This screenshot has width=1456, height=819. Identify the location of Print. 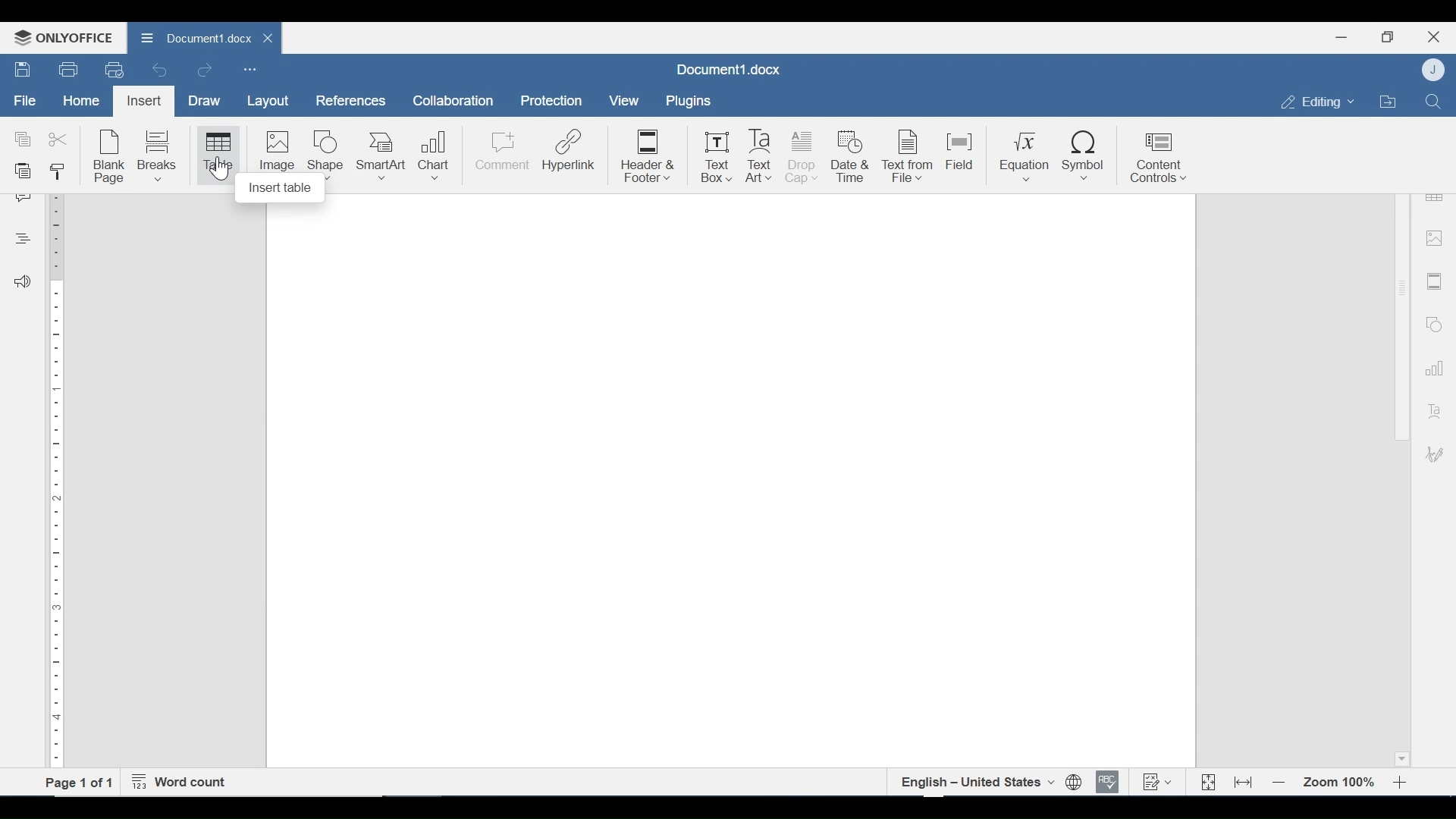
(69, 70).